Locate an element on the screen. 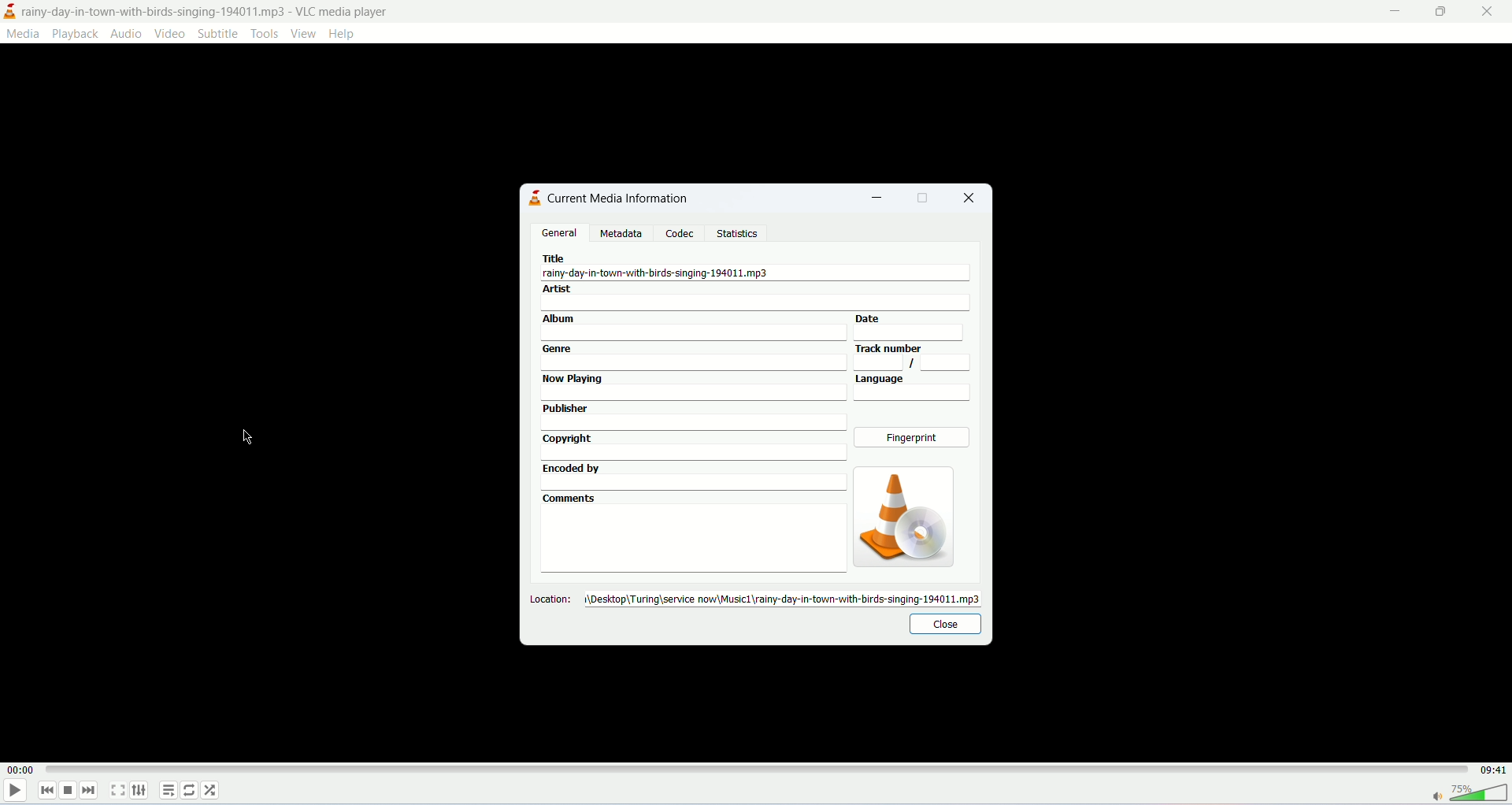 Image resolution: width=1512 pixels, height=805 pixels. A.
rainy-day-in-town-with-birds-singing-194011.mp3 is located at coordinates (682, 268).